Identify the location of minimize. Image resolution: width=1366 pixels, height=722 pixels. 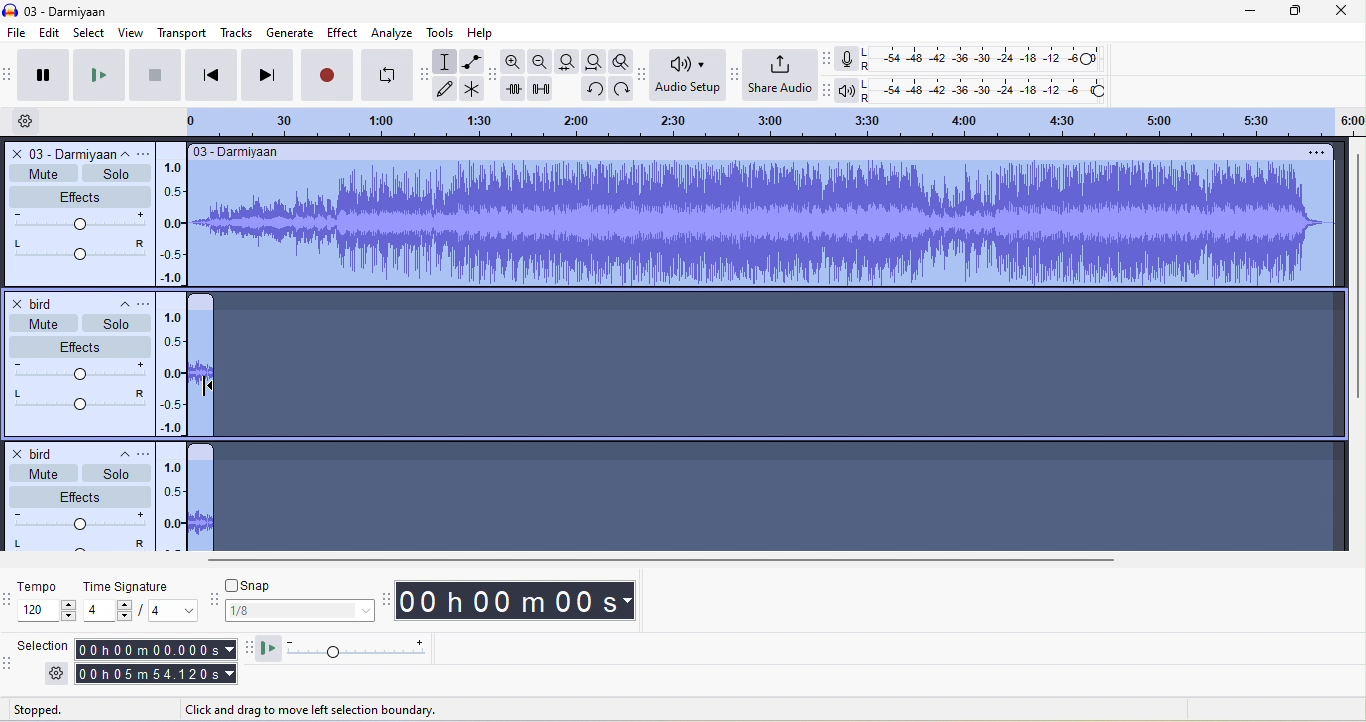
(1238, 11).